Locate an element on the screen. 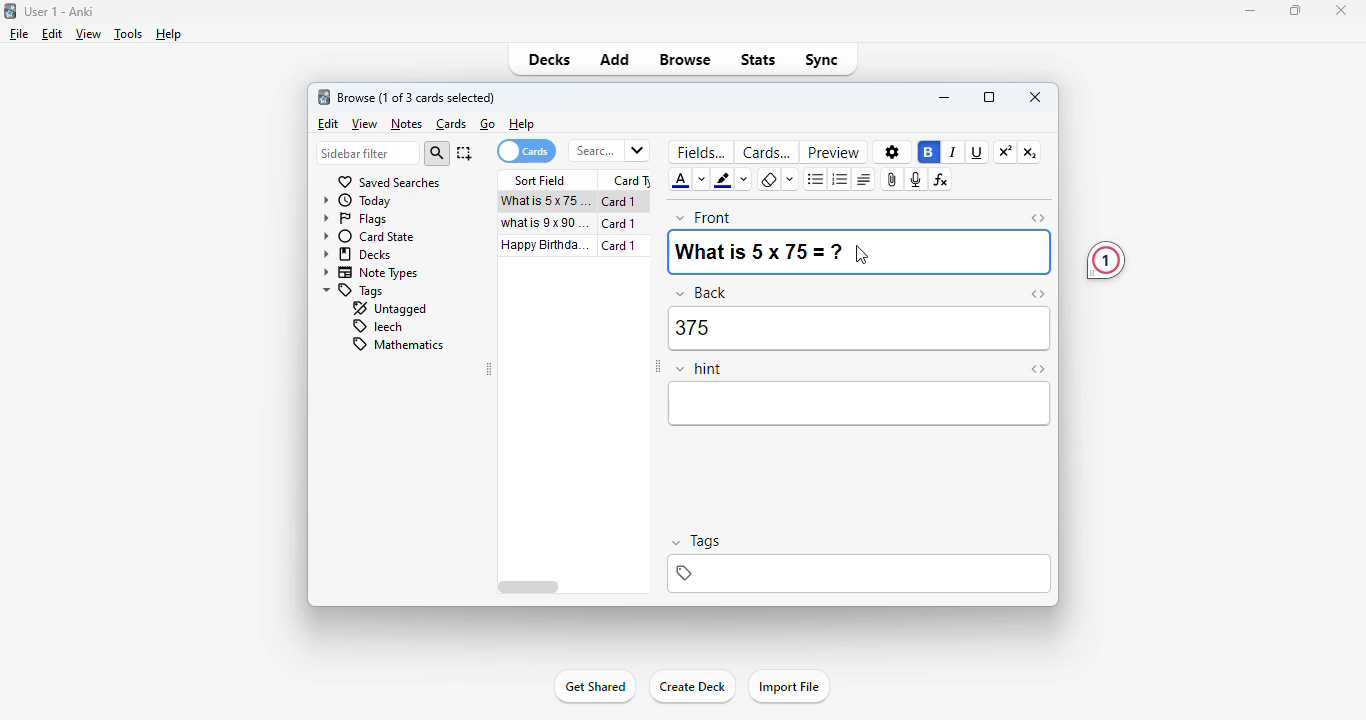 This screenshot has height=720, width=1366. decks is located at coordinates (356, 254).